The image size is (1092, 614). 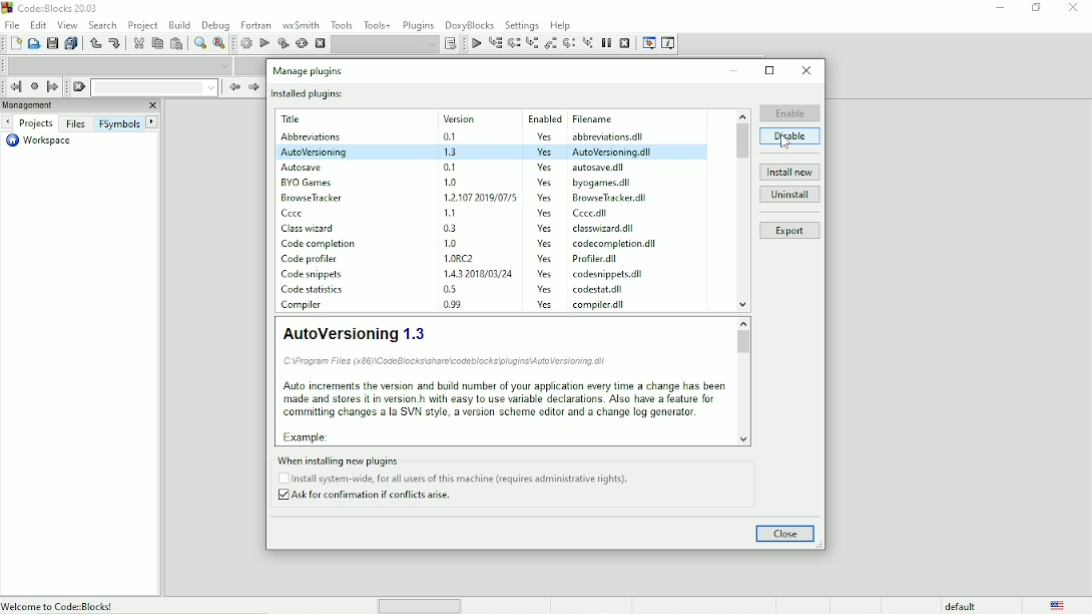 What do you see at coordinates (452, 243) in the screenshot?
I see `1.0` at bounding box center [452, 243].